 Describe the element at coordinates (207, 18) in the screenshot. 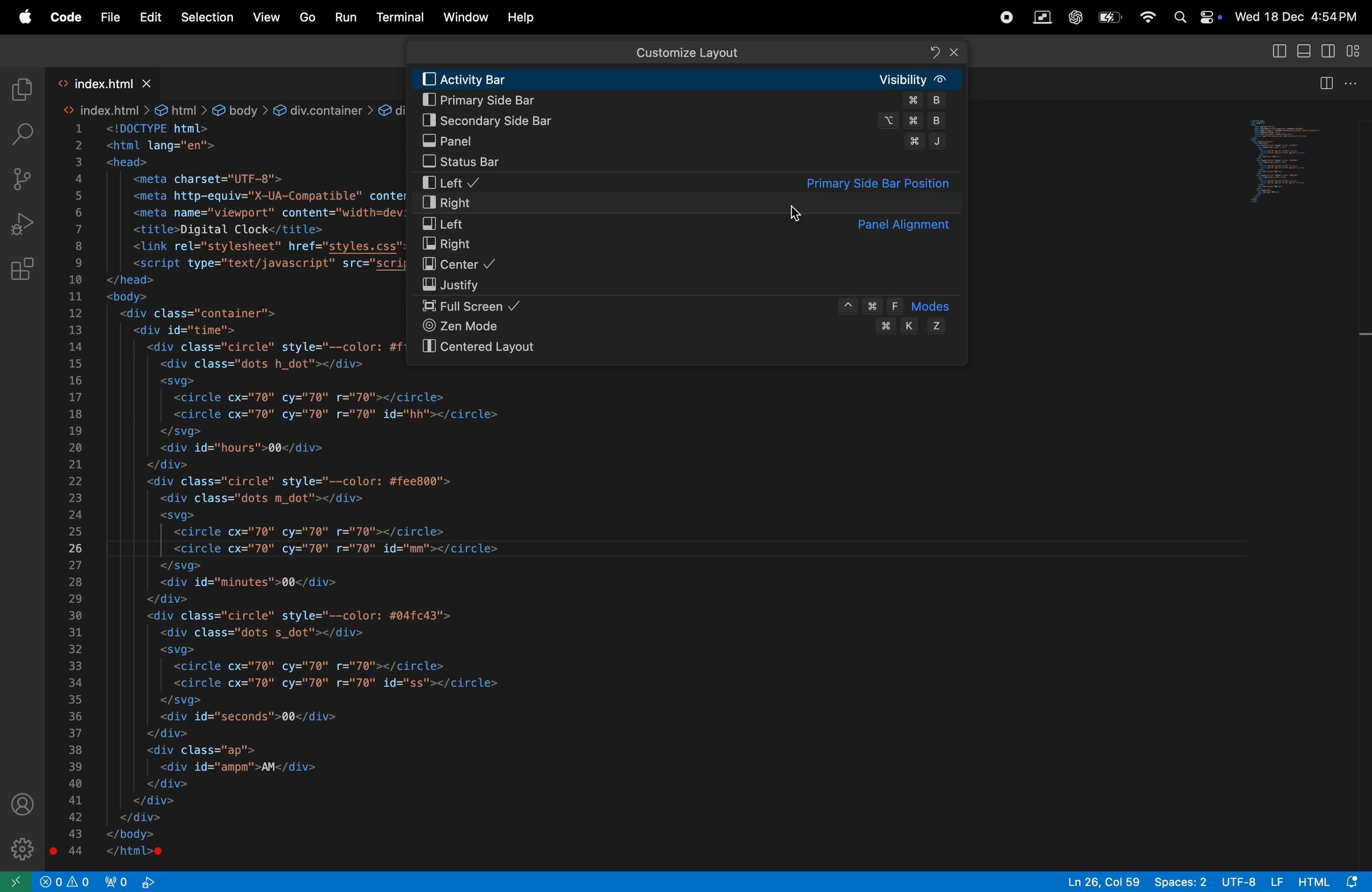

I see `selection` at that location.